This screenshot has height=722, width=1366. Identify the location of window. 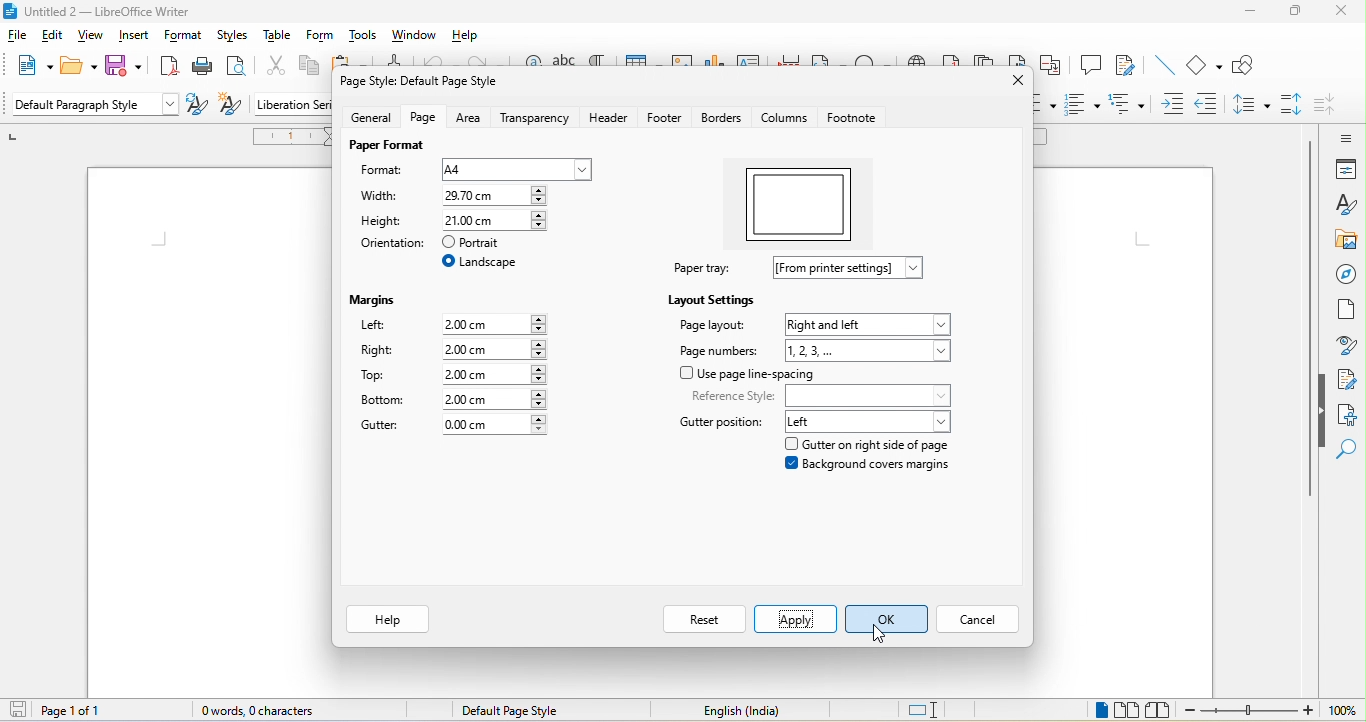
(415, 37).